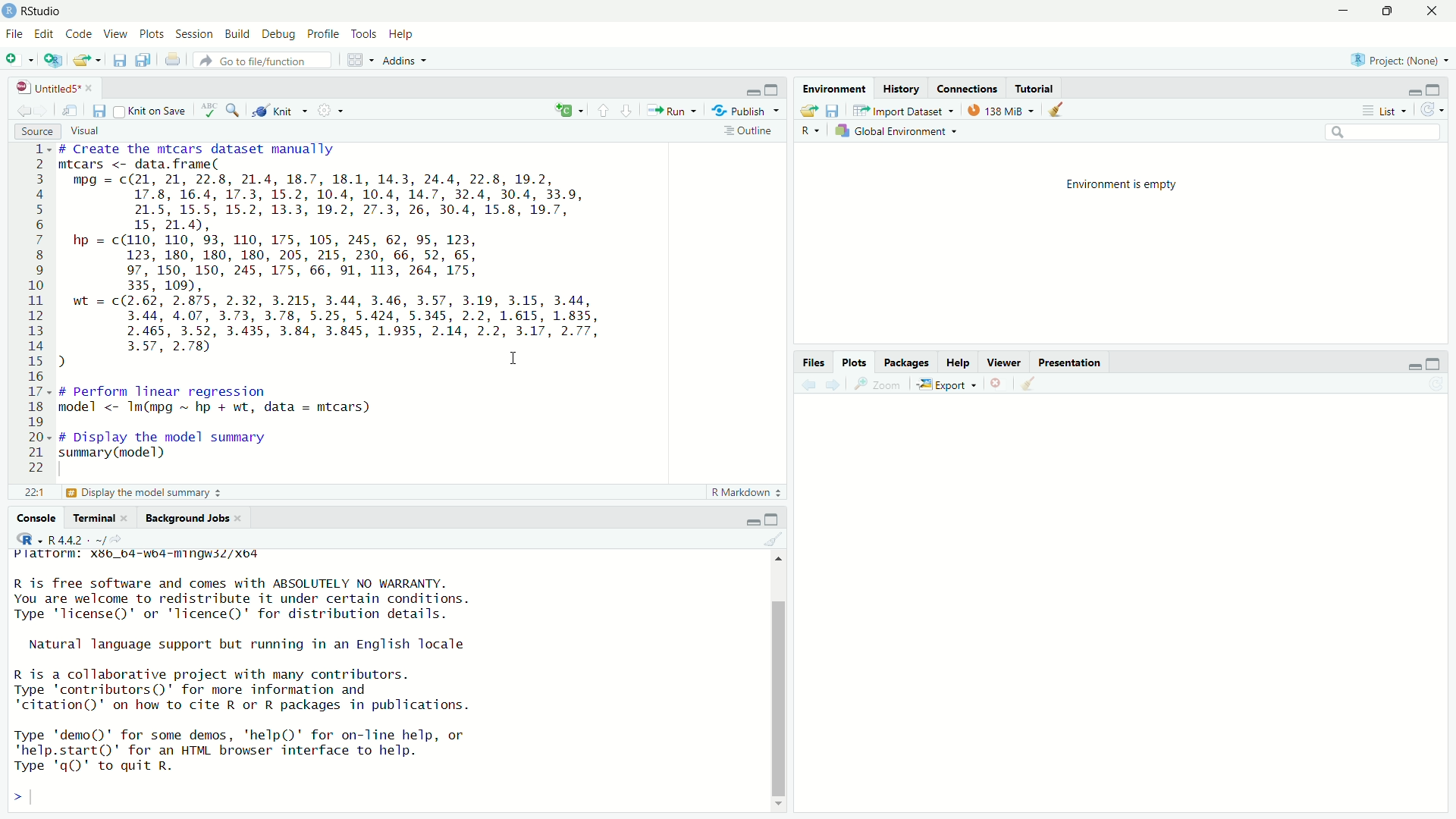 The height and width of the screenshot is (819, 1456). I want to click on print the current file, so click(174, 60).